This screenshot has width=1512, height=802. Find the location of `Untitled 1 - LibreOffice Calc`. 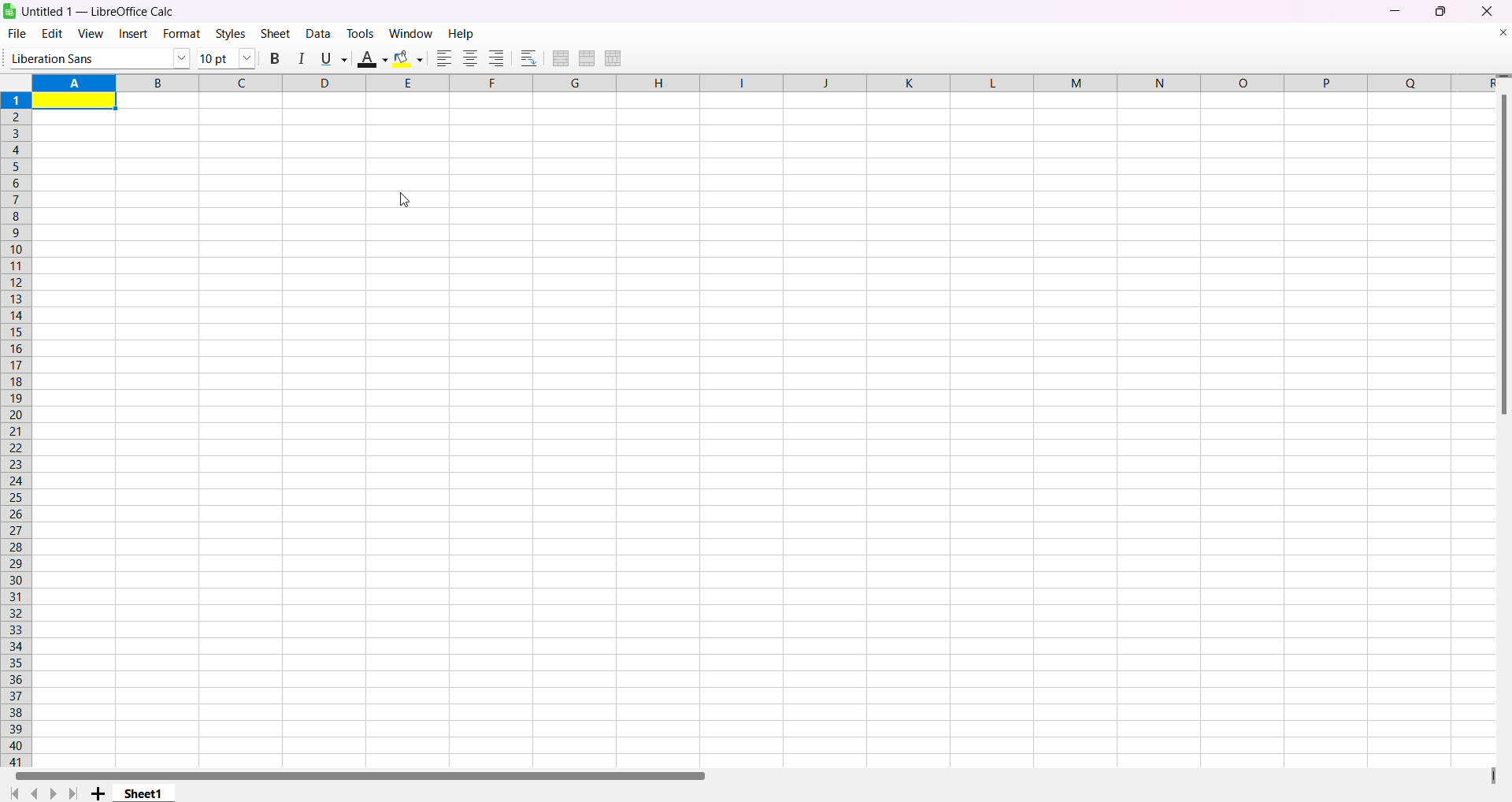

Untitled 1 - LibreOffice Calc is located at coordinates (108, 12).